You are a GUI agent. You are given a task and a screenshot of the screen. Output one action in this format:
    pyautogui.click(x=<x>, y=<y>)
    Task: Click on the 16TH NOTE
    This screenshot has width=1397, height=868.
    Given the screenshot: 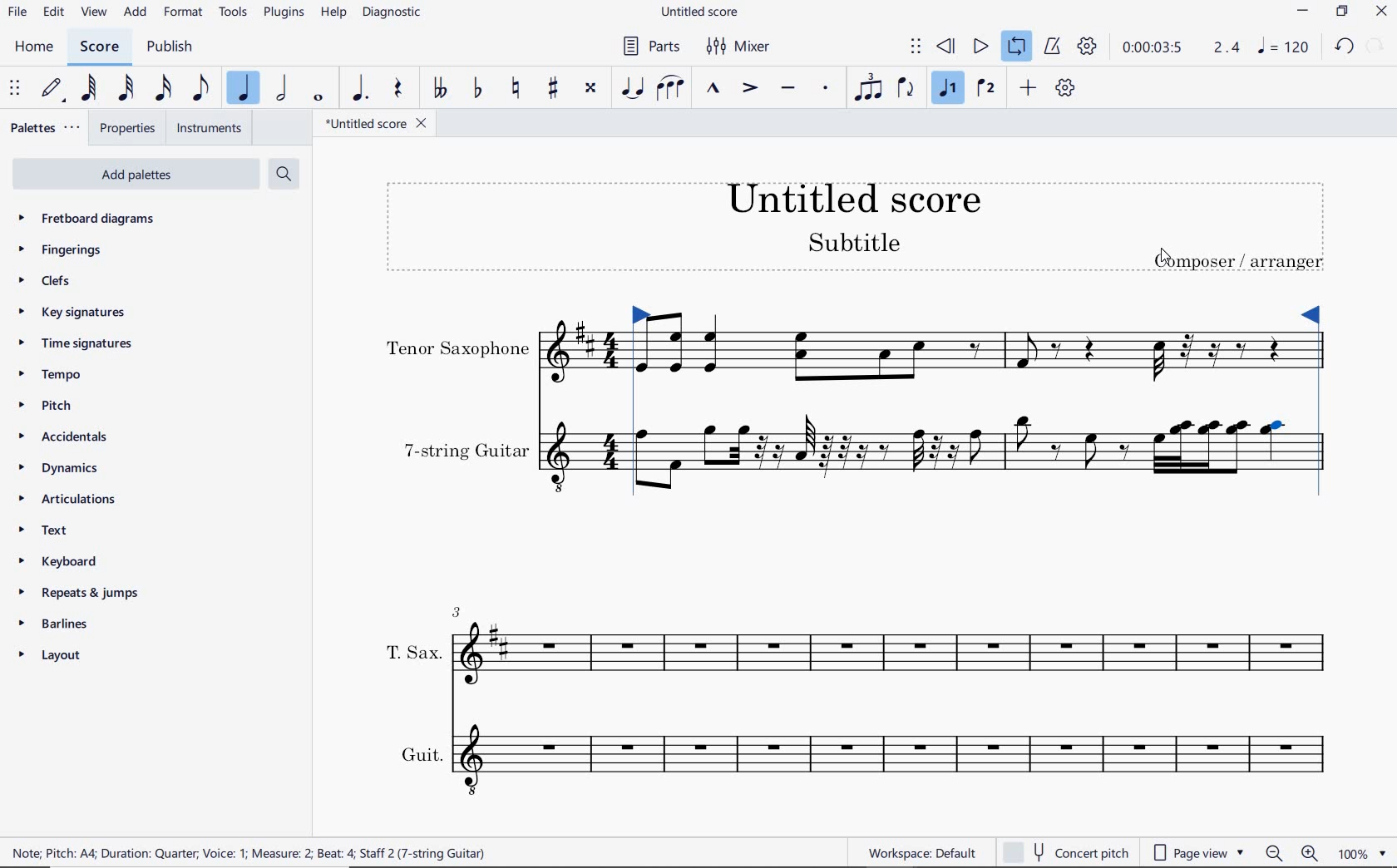 What is the action you would take?
    pyautogui.click(x=160, y=88)
    